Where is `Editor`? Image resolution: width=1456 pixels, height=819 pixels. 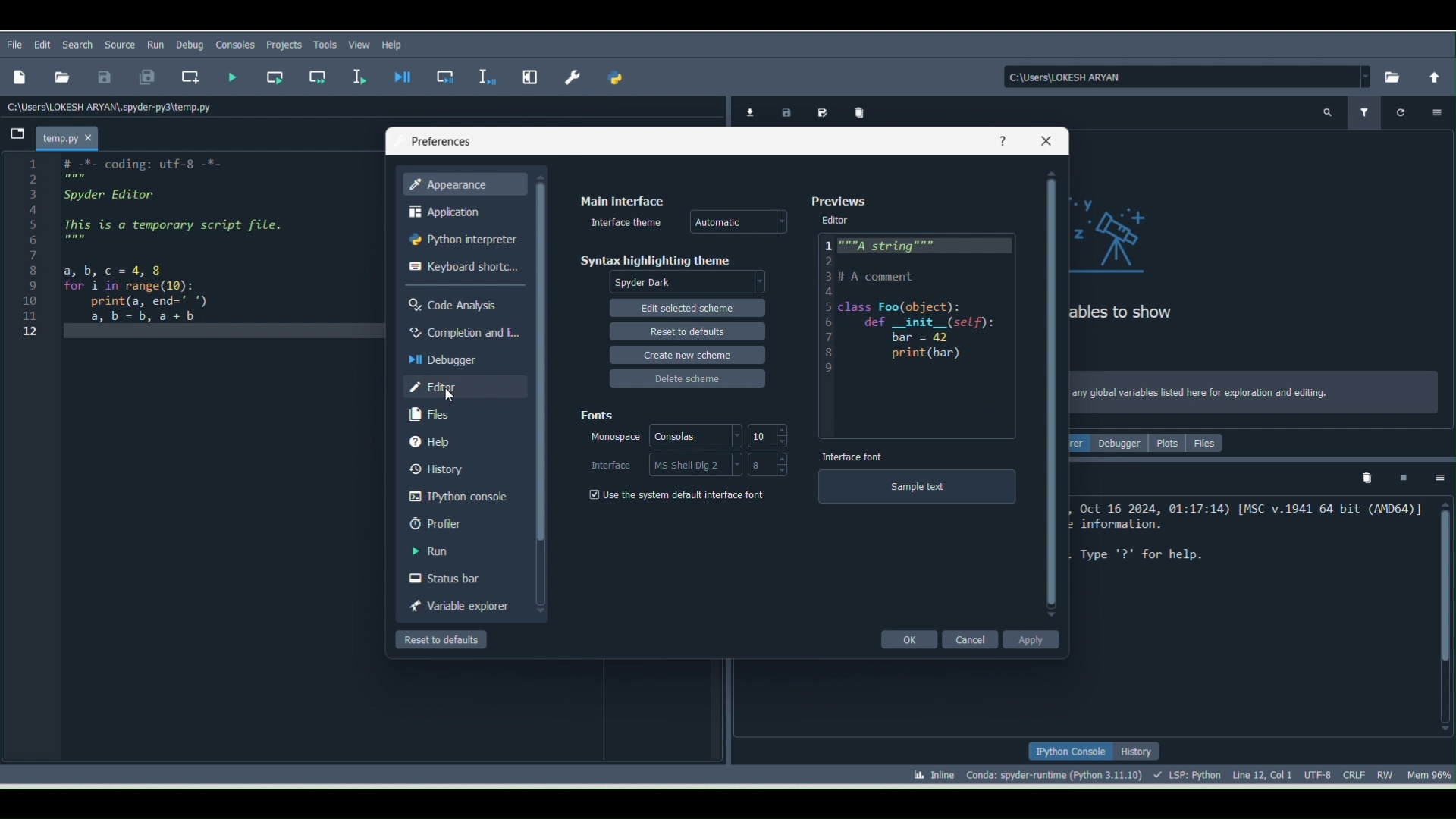 Editor is located at coordinates (463, 385).